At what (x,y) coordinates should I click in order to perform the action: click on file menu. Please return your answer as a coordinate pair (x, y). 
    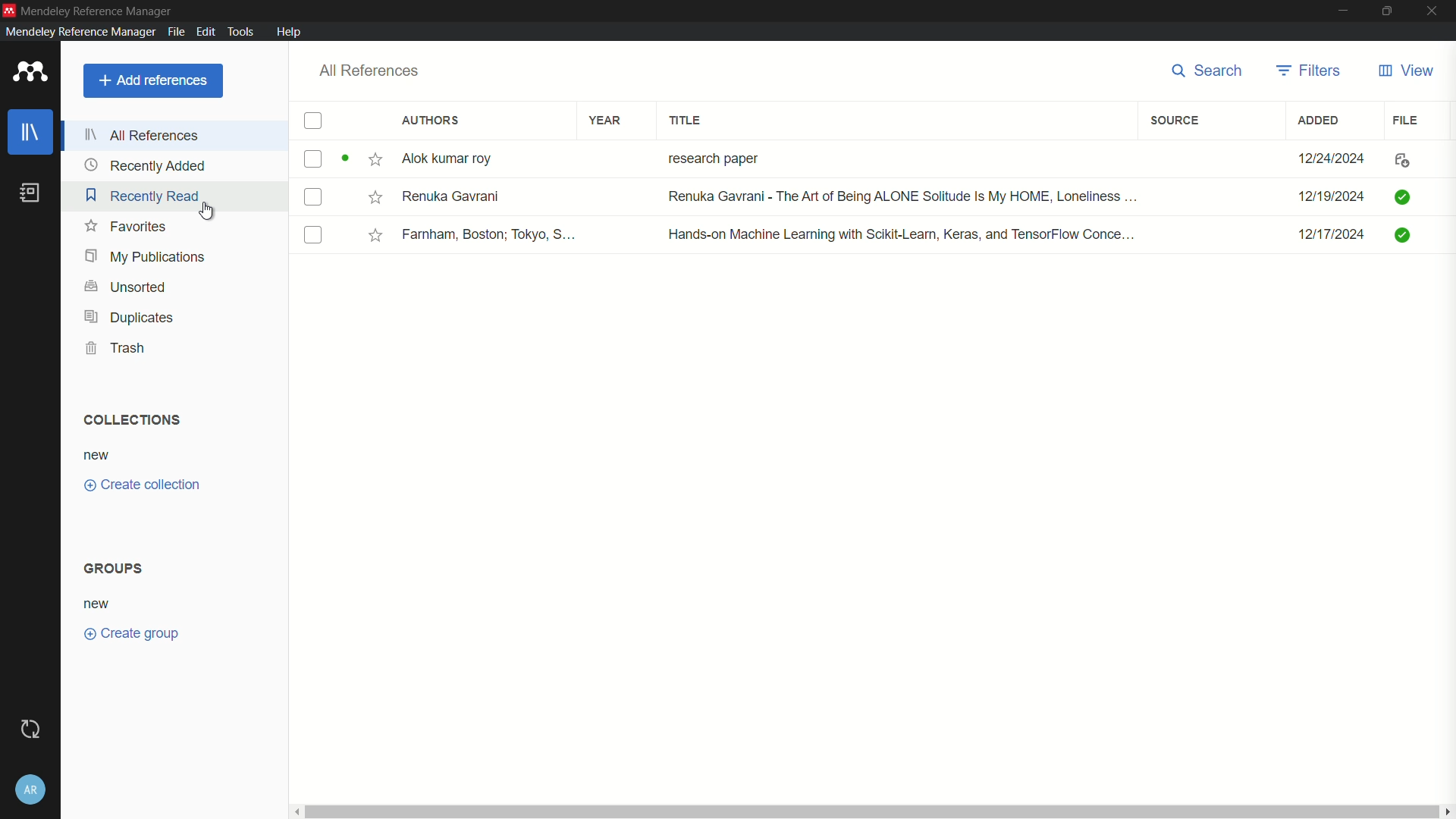
    Looking at the image, I should click on (177, 33).